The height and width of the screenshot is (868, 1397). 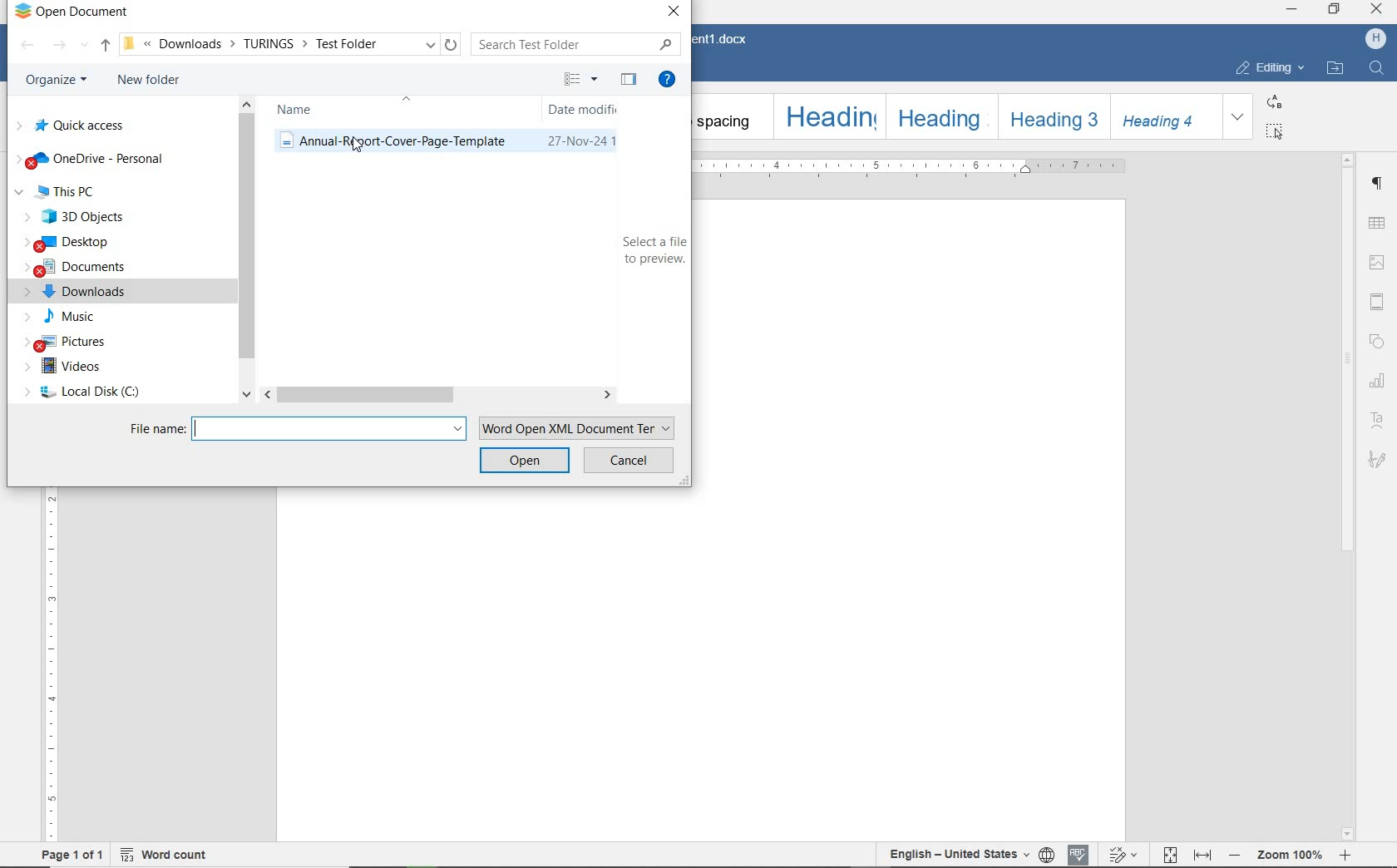 I want to click on table, so click(x=1376, y=224).